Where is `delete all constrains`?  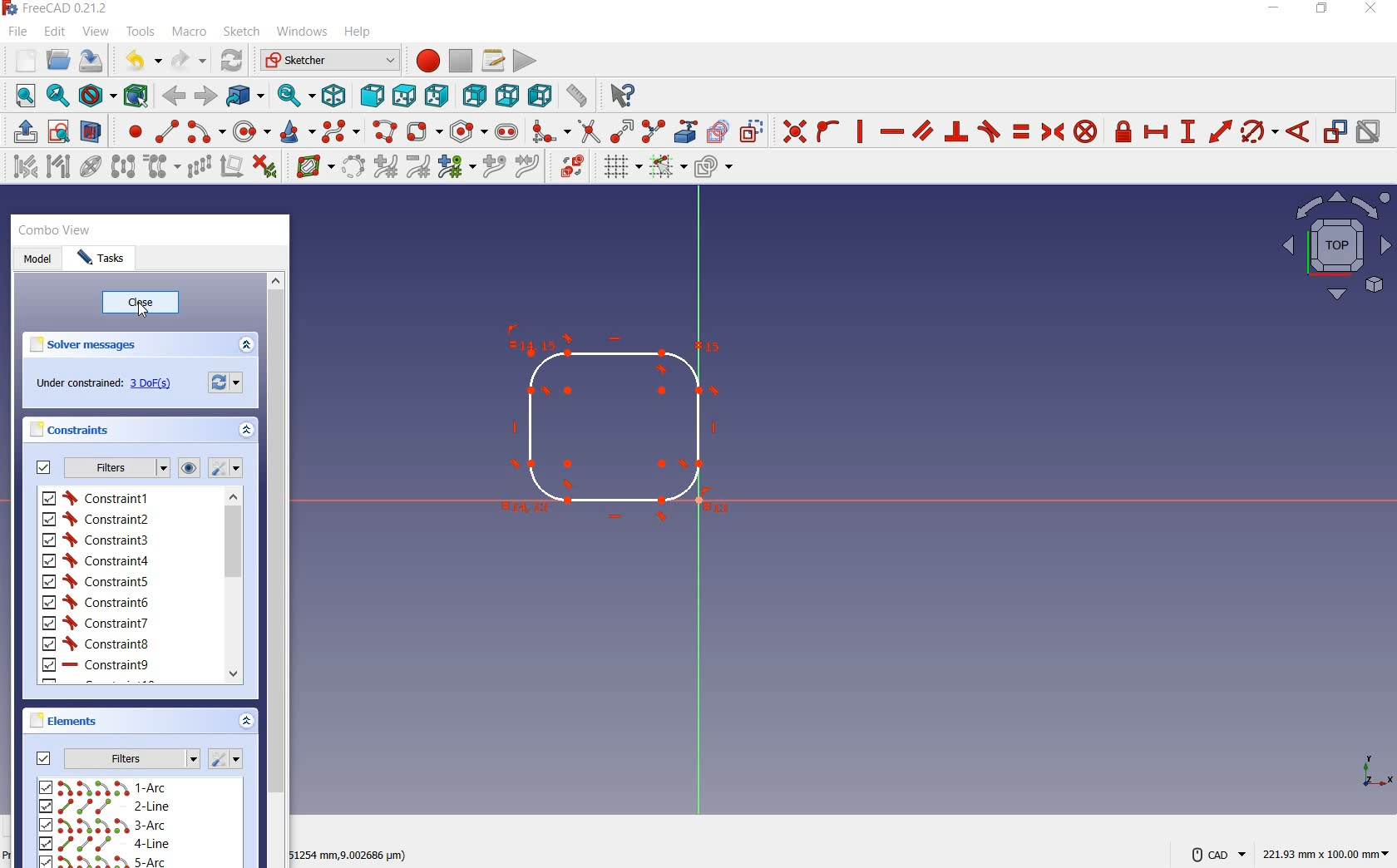 delete all constrains is located at coordinates (264, 167).